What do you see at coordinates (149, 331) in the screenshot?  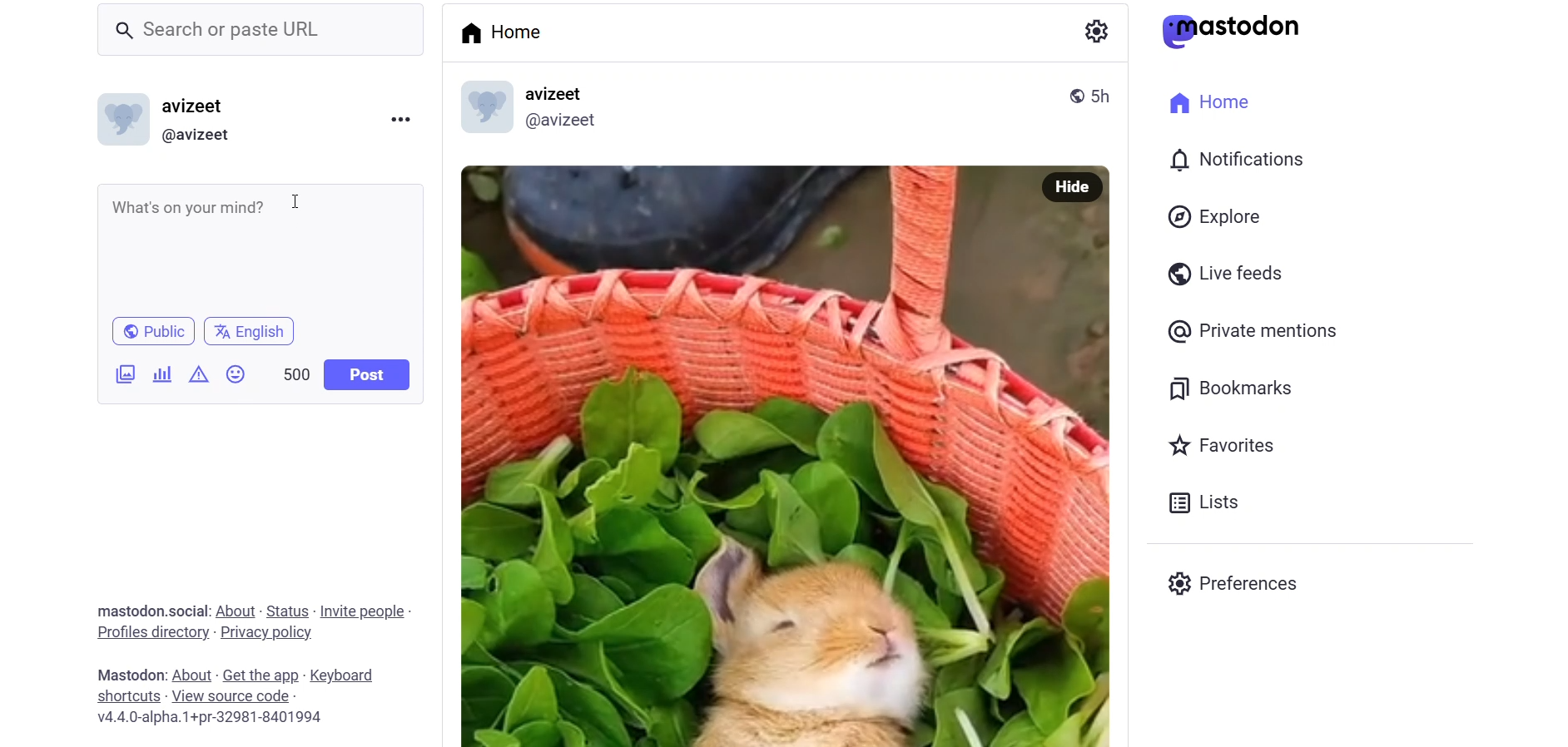 I see `public` at bounding box center [149, 331].